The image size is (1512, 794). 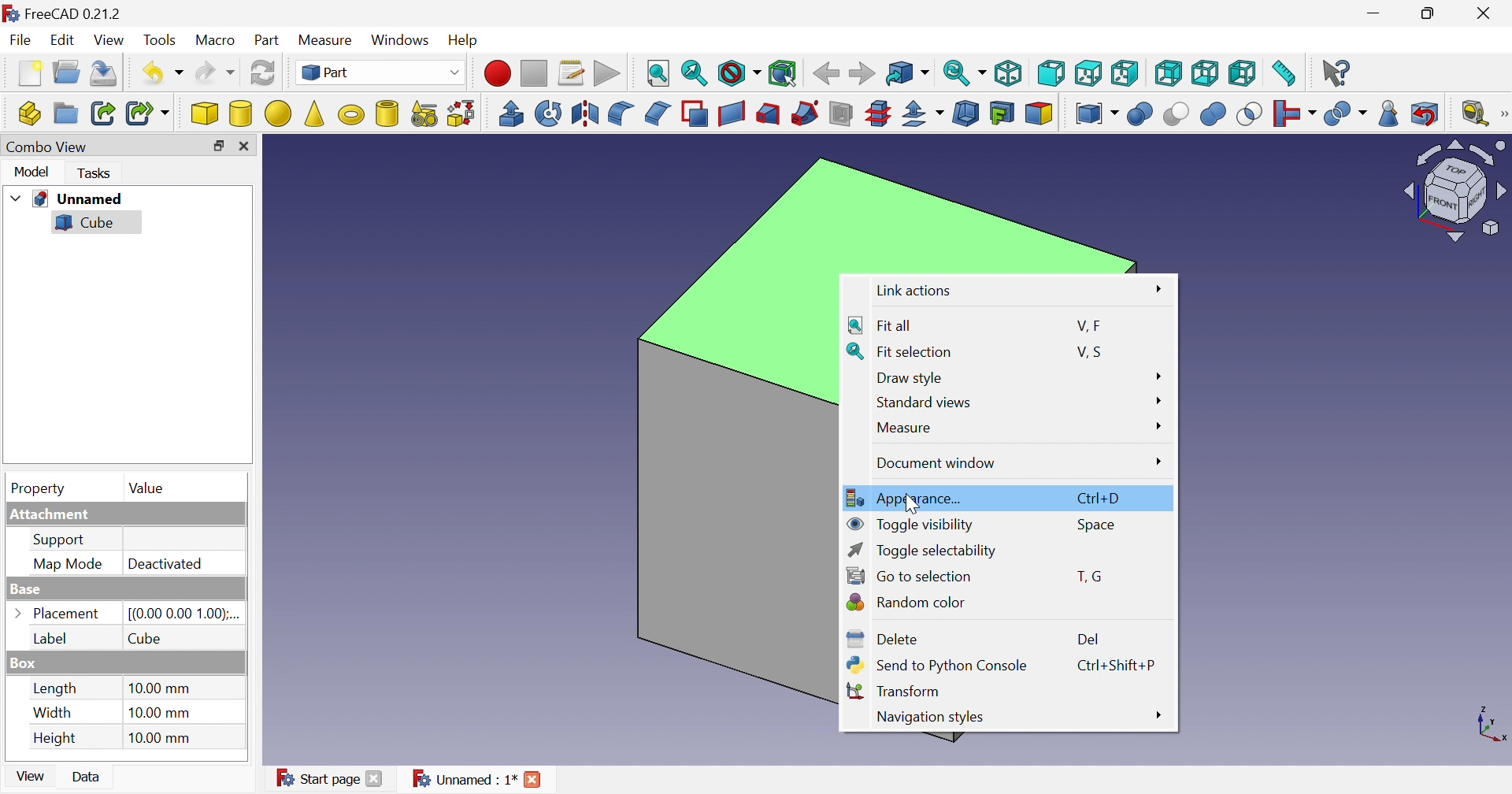 I want to click on Random color, so click(x=908, y=600).